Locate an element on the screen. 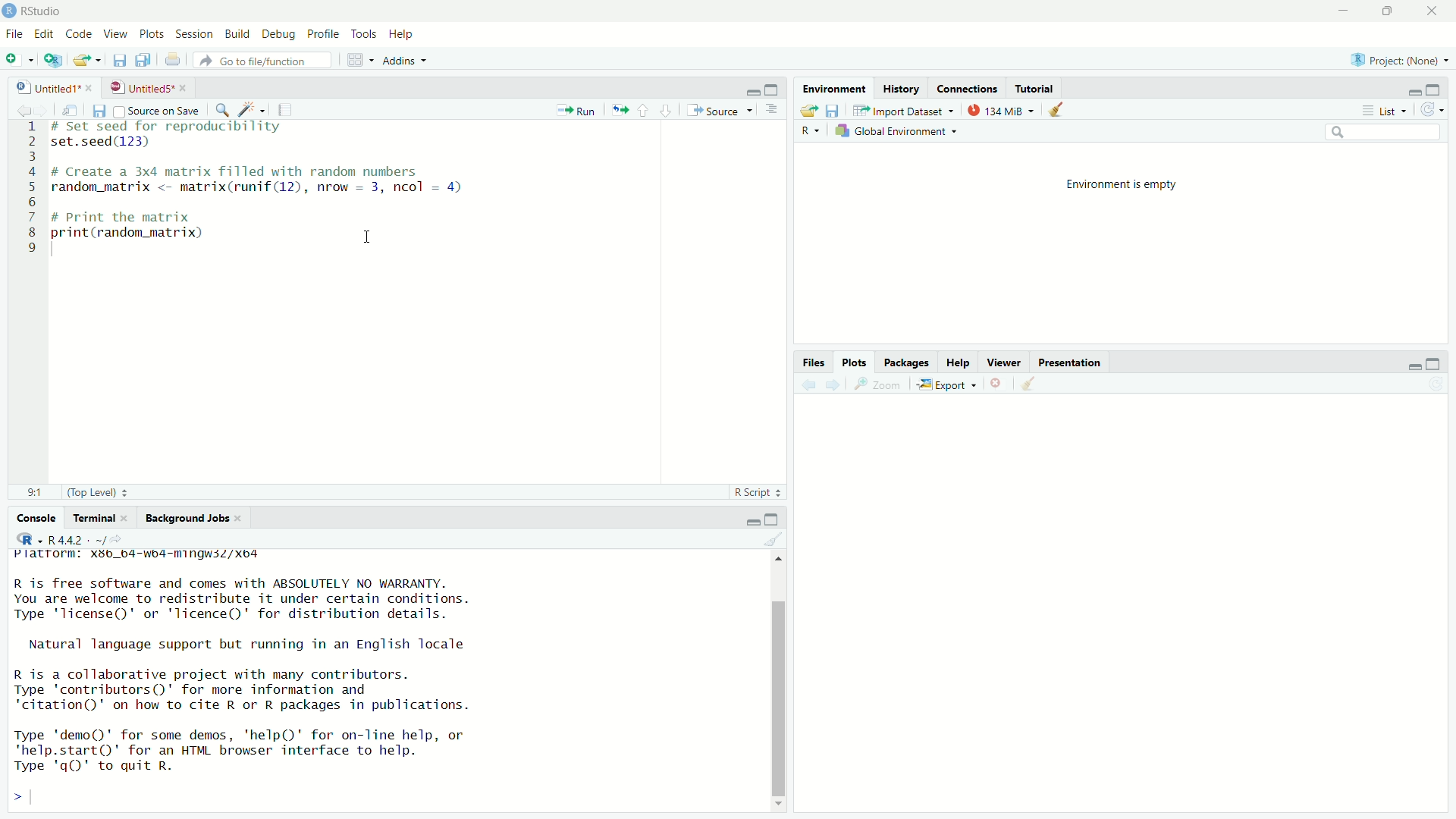 This screenshot has height=819, width=1456. move is located at coordinates (621, 108).